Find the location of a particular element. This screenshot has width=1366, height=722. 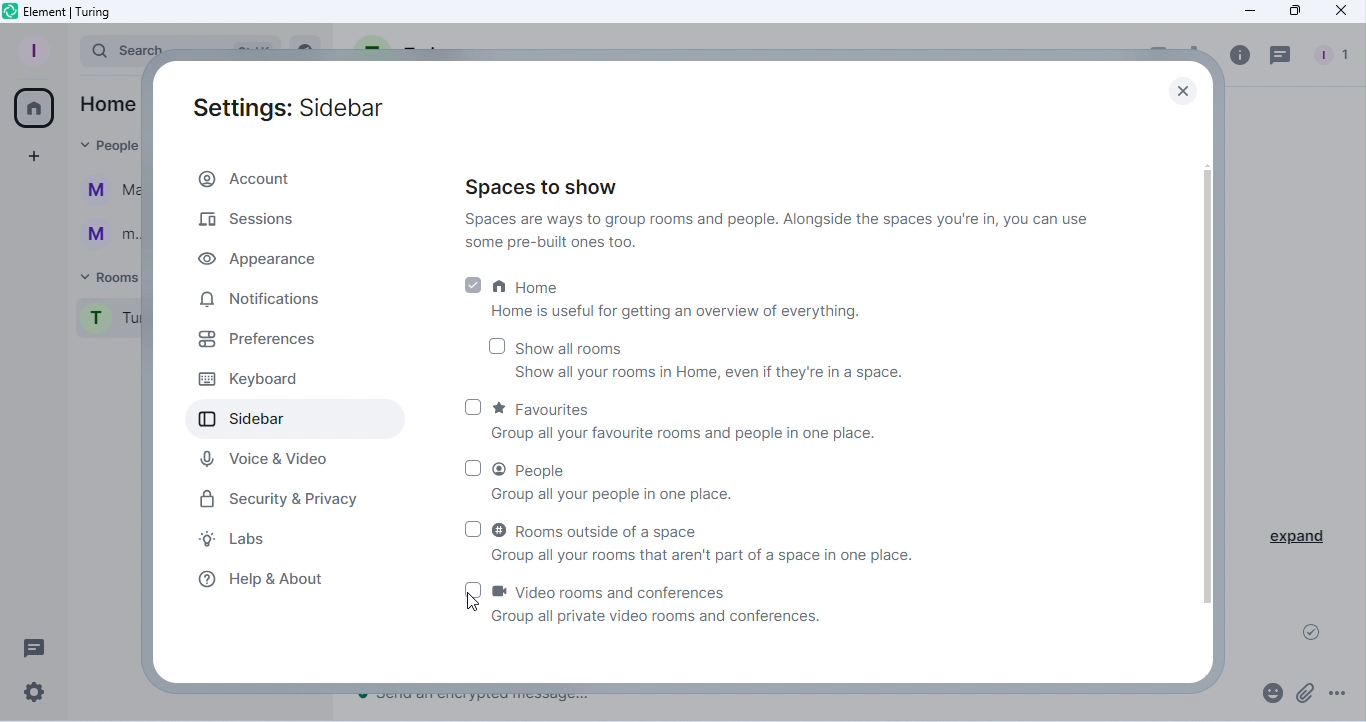

Expand is located at coordinates (1295, 536).